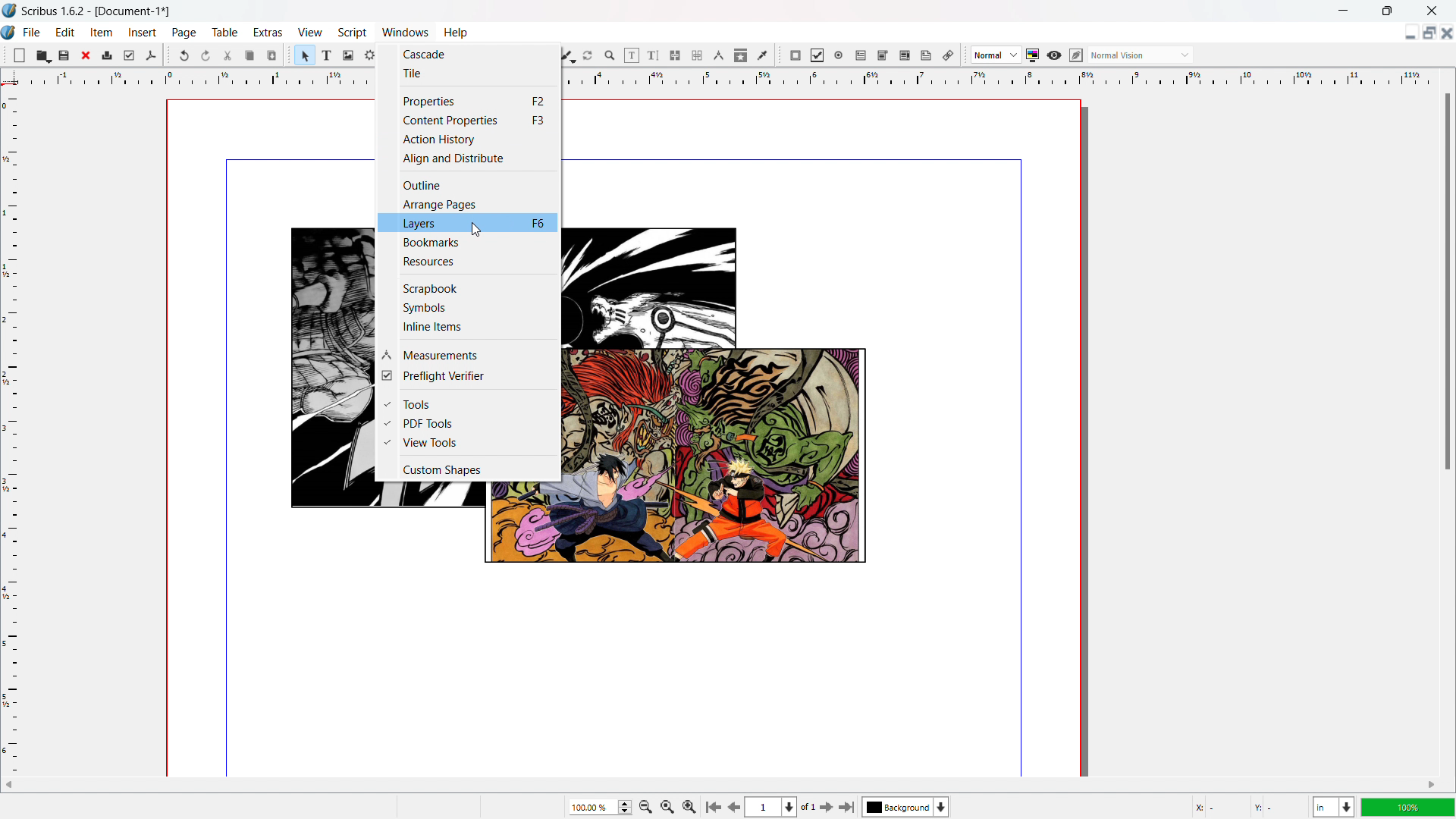  Describe the element at coordinates (87, 55) in the screenshot. I see `close` at that location.